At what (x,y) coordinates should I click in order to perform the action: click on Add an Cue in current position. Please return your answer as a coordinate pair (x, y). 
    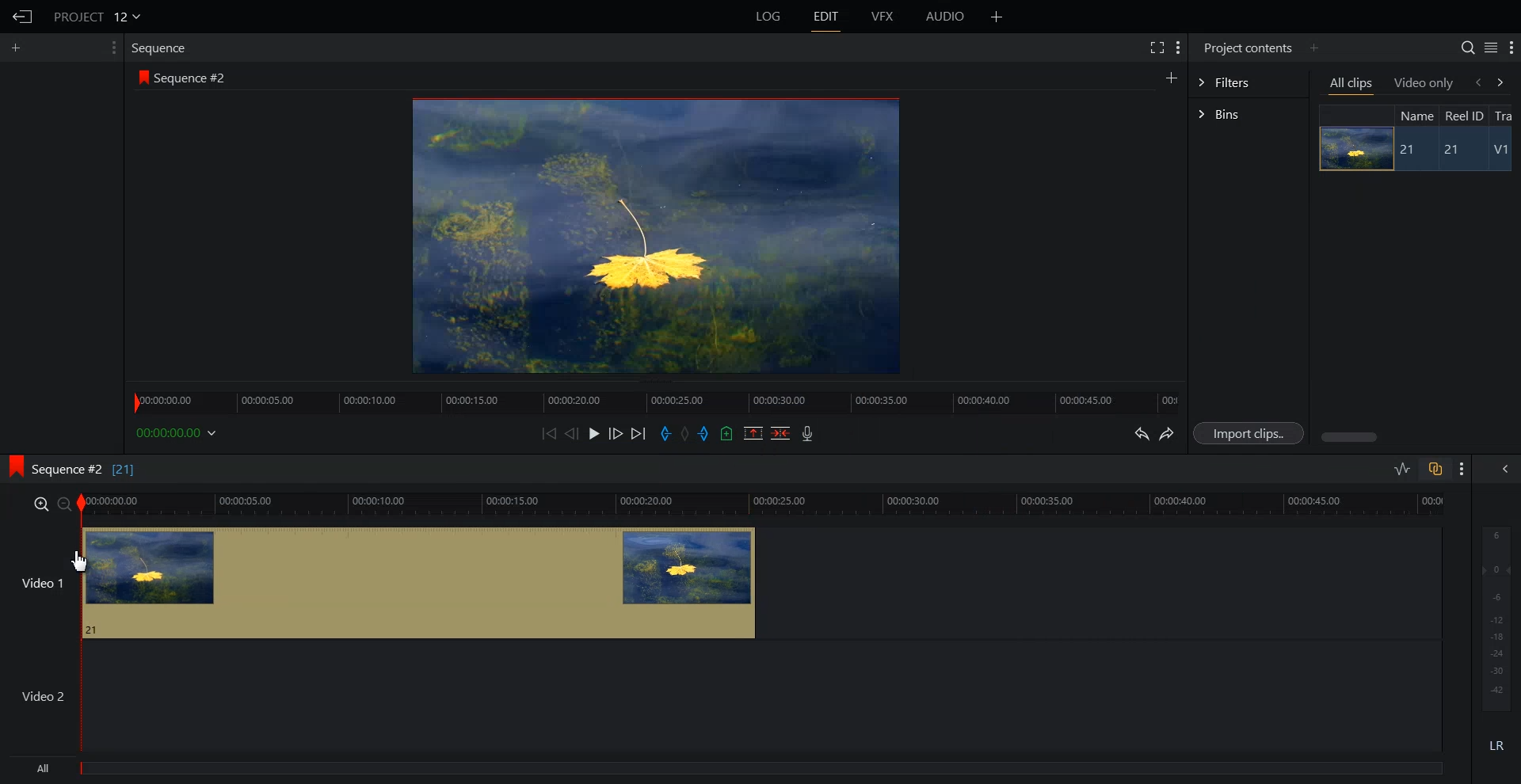
    Looking at the image, I should click on (727, 433).